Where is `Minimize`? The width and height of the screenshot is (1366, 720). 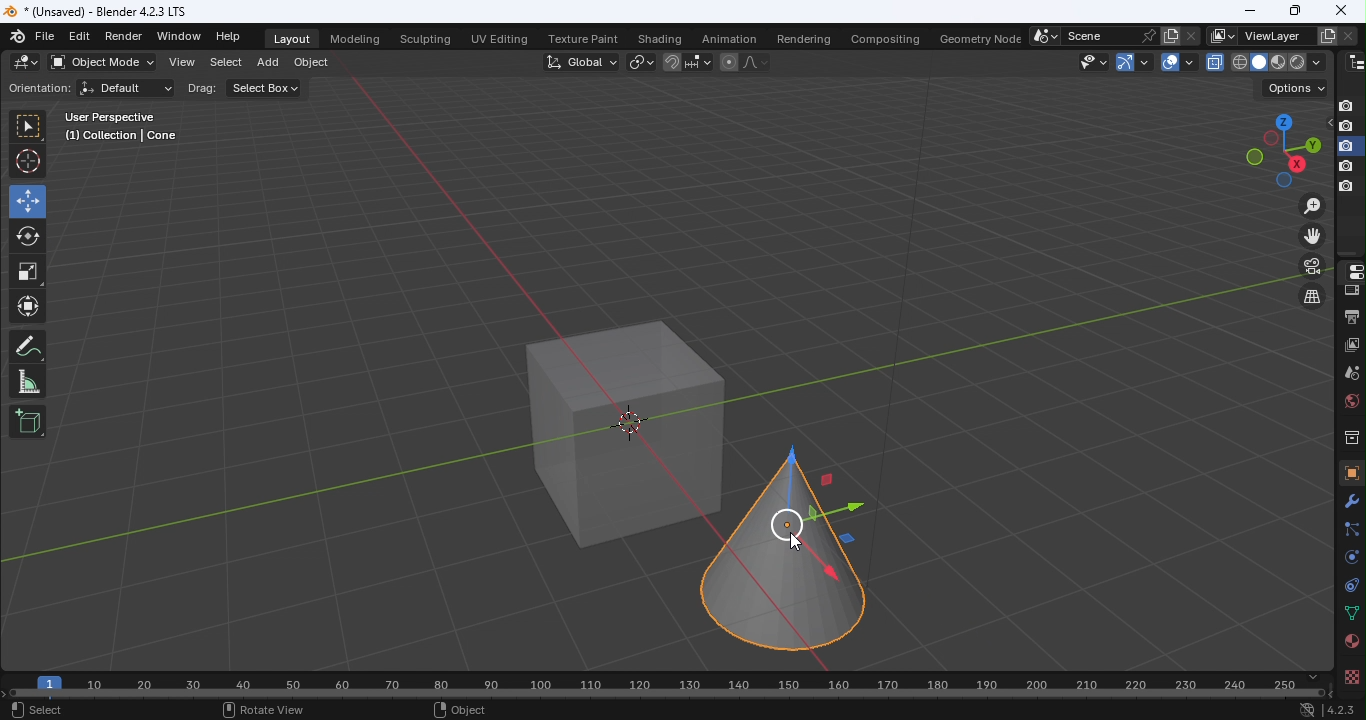
Minimize is located at coordinates (1249, 10).